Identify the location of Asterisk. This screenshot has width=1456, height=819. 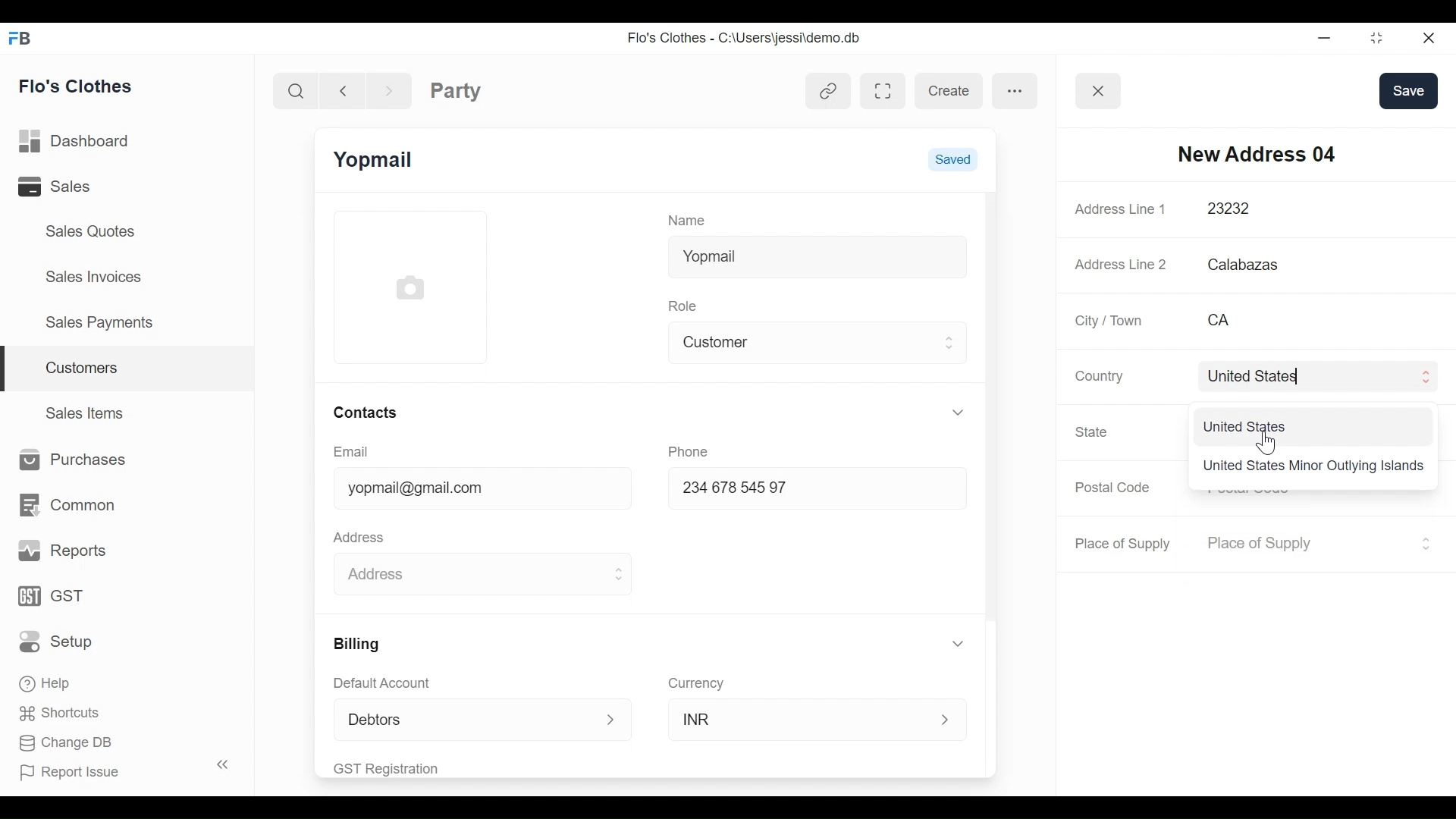
(1422, 209).